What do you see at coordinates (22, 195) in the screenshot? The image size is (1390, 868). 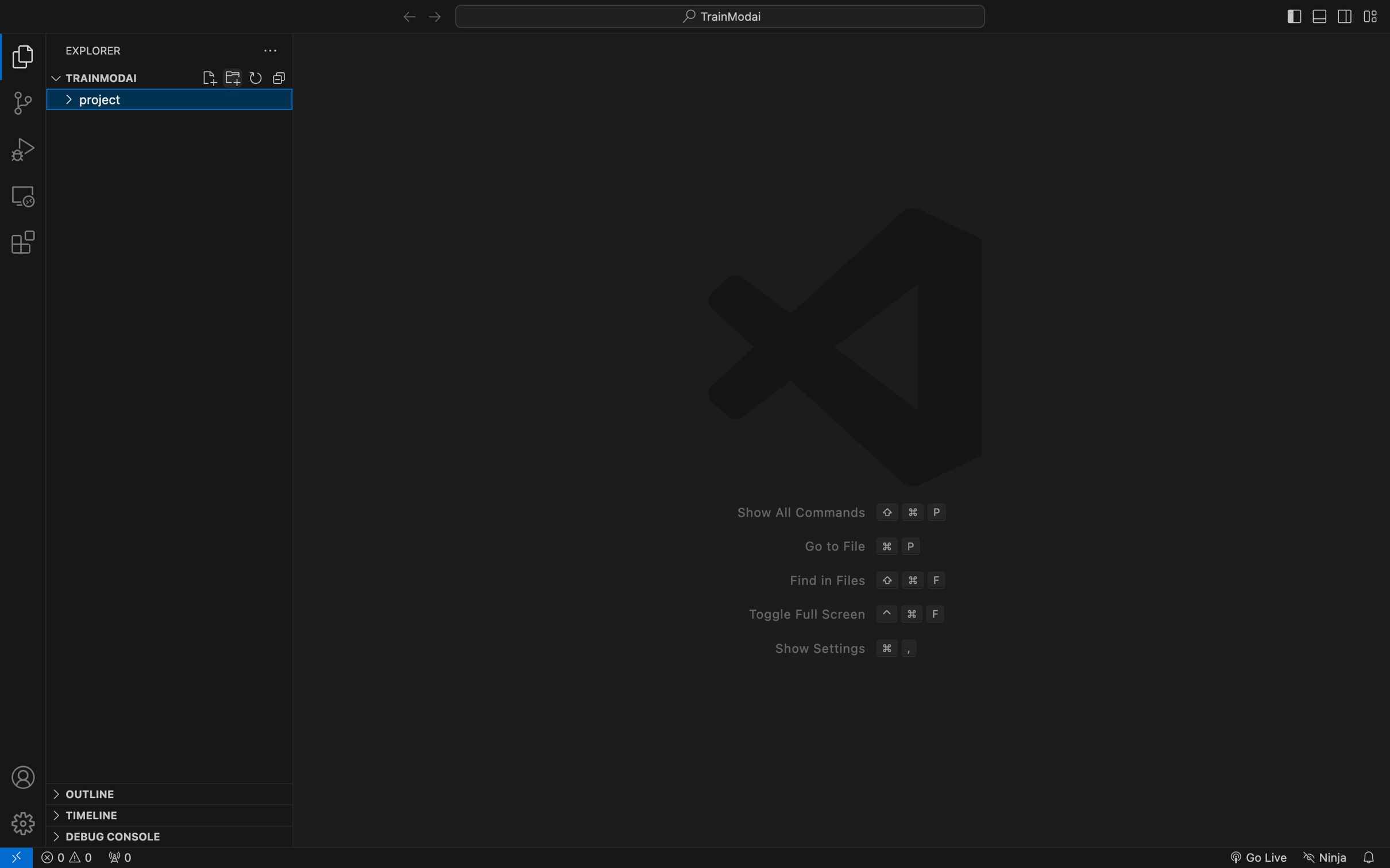 I see `remote explore` at bounding box center [22, 195].